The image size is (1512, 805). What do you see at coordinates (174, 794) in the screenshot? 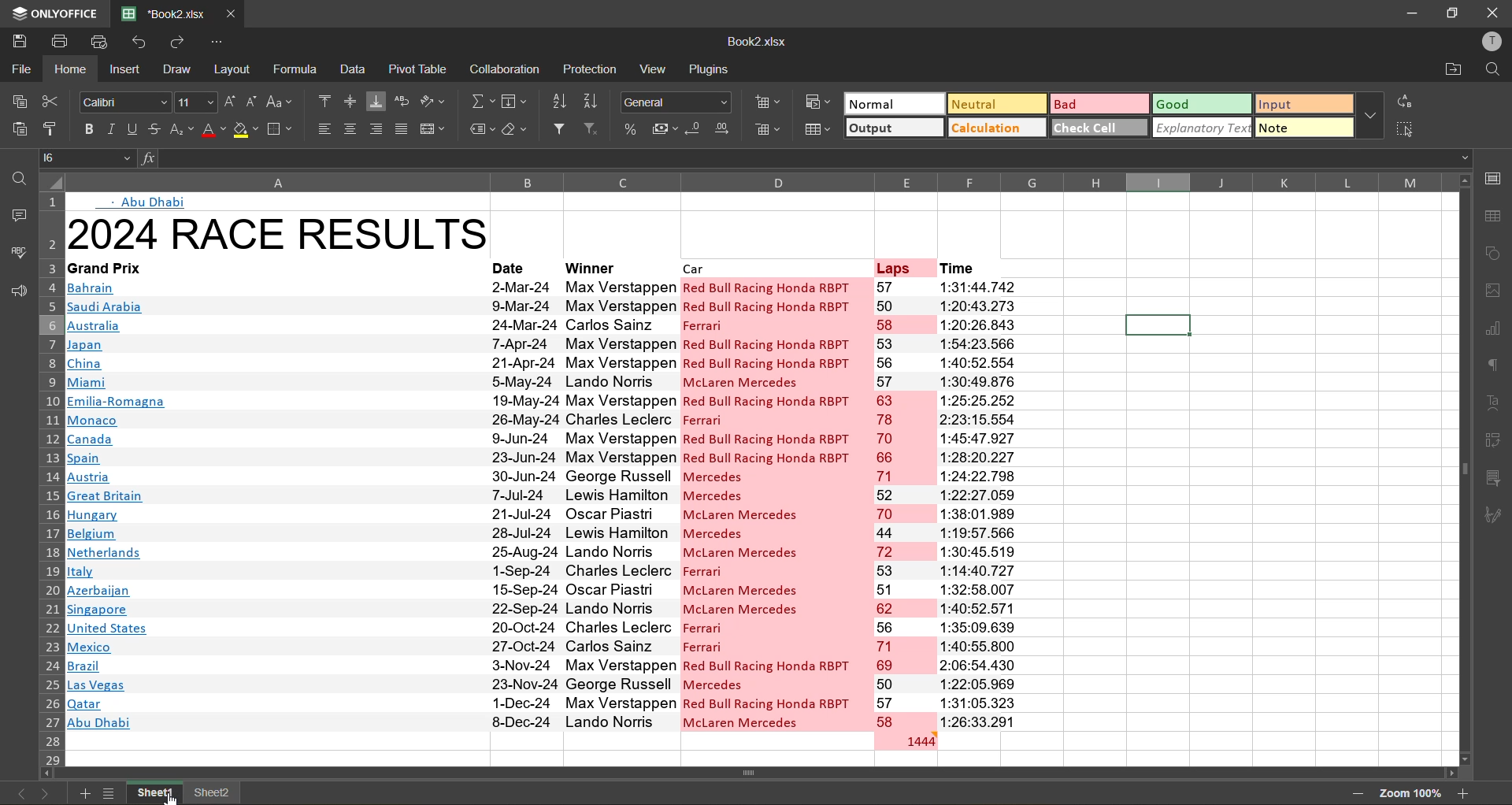
I see `cursor` at bounding box center [174, 794].